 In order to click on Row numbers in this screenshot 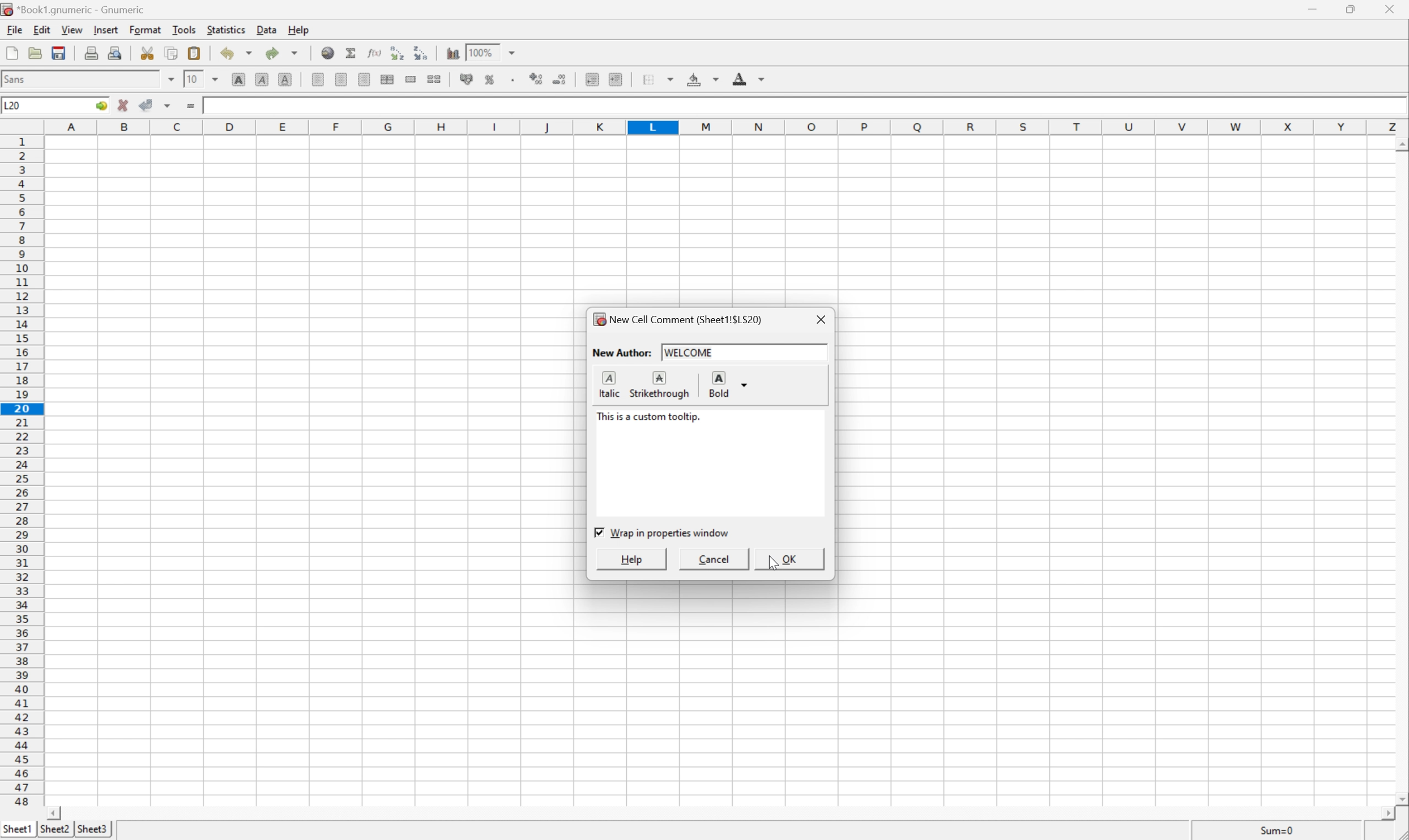, I will do `click(21, 471)`.